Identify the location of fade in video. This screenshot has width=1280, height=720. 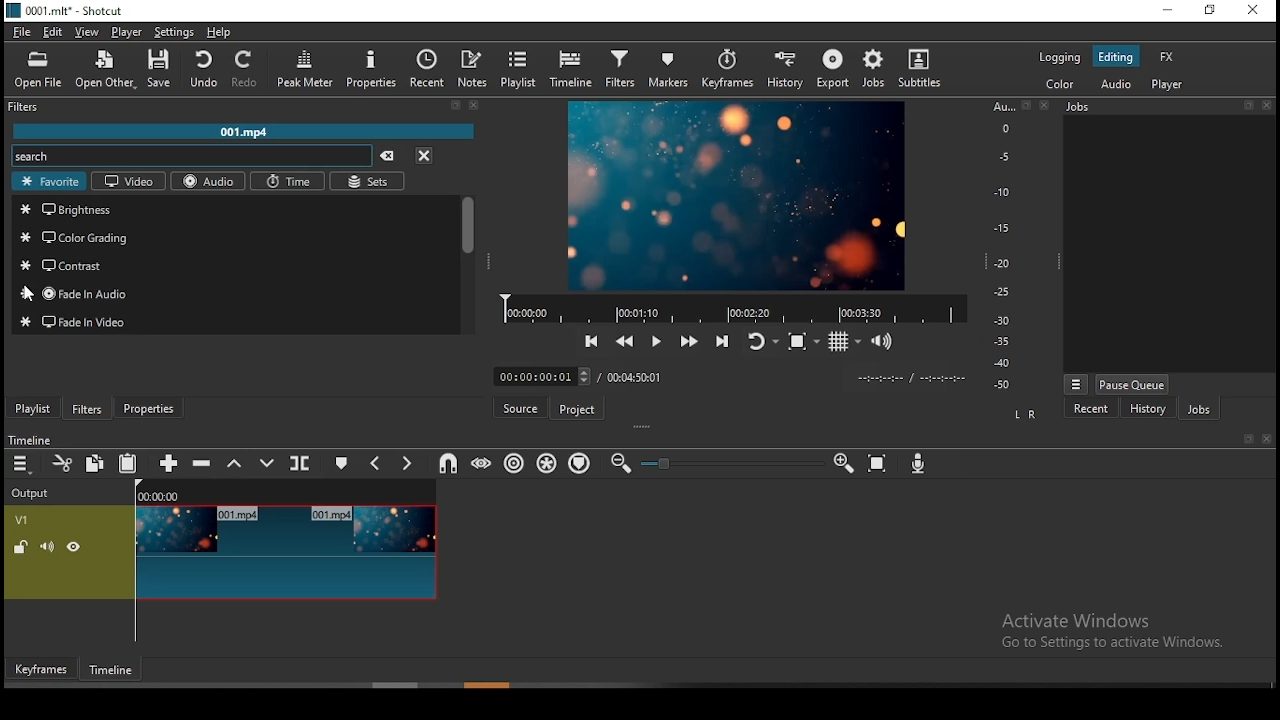
(235, 321).